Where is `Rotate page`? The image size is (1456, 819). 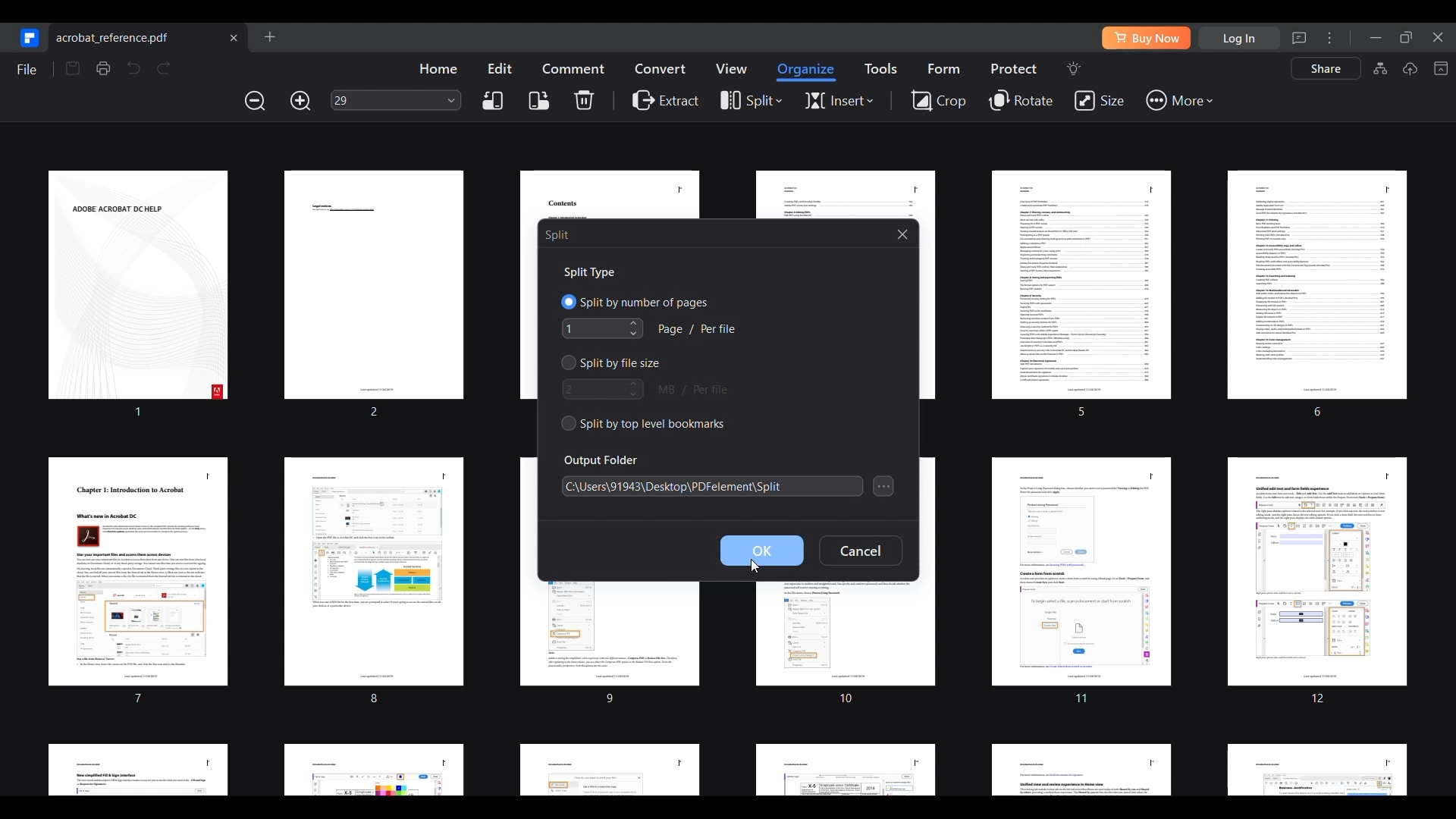
Rotate page is located at coordinates (1022, 101).